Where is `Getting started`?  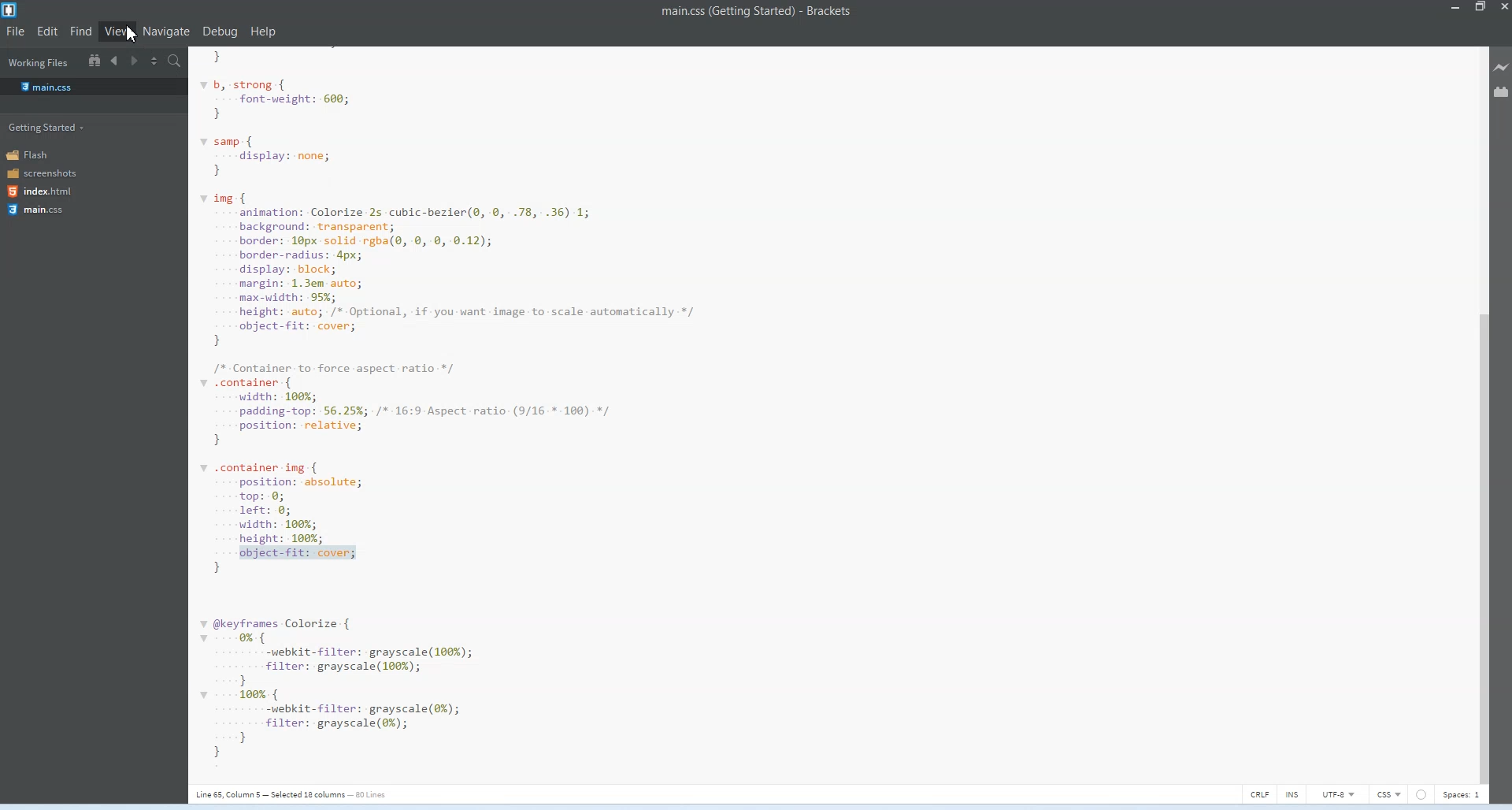 Getting started is located at coordinates (46, 128).